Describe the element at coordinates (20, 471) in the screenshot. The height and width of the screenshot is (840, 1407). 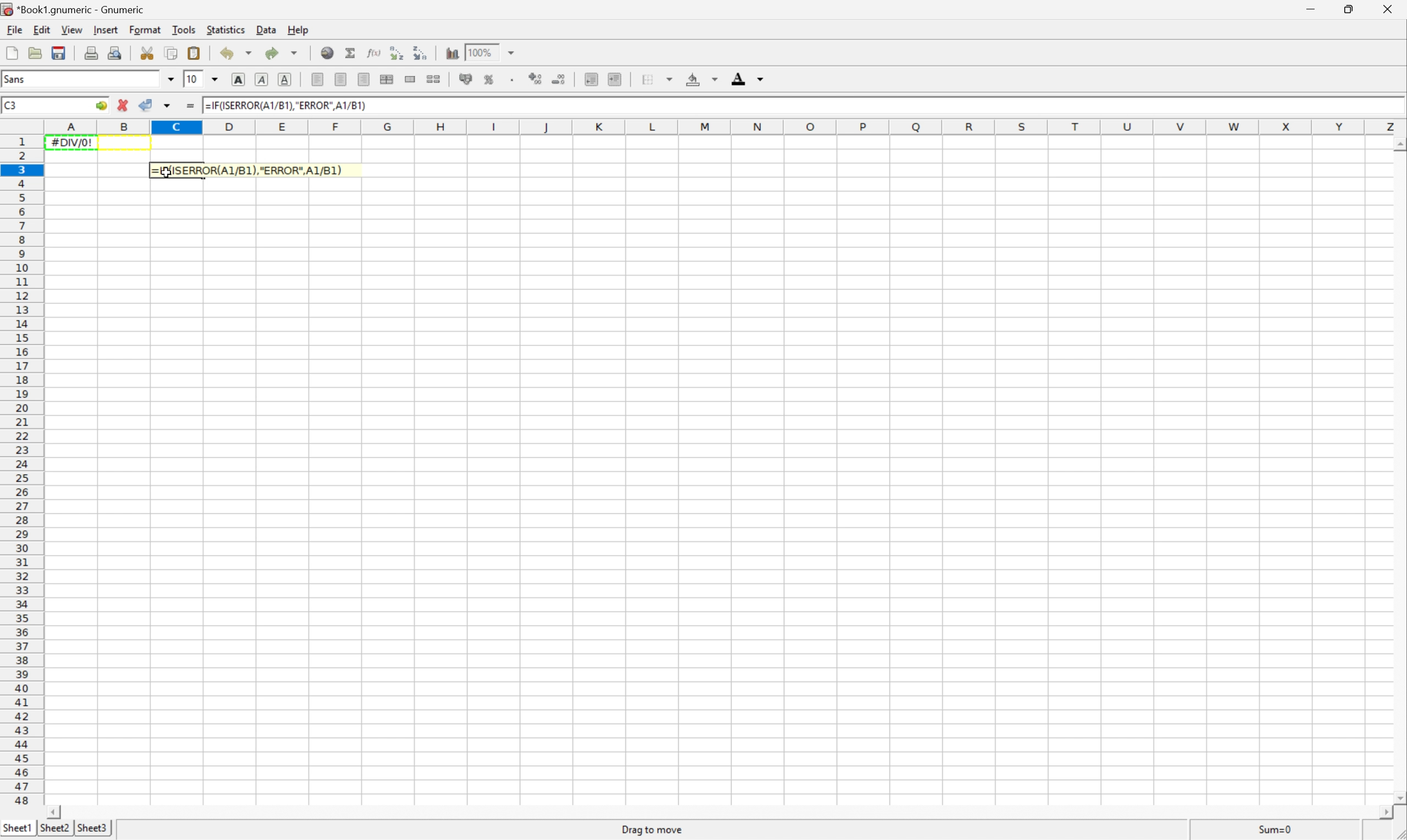
I see `Row numbers` at that location.